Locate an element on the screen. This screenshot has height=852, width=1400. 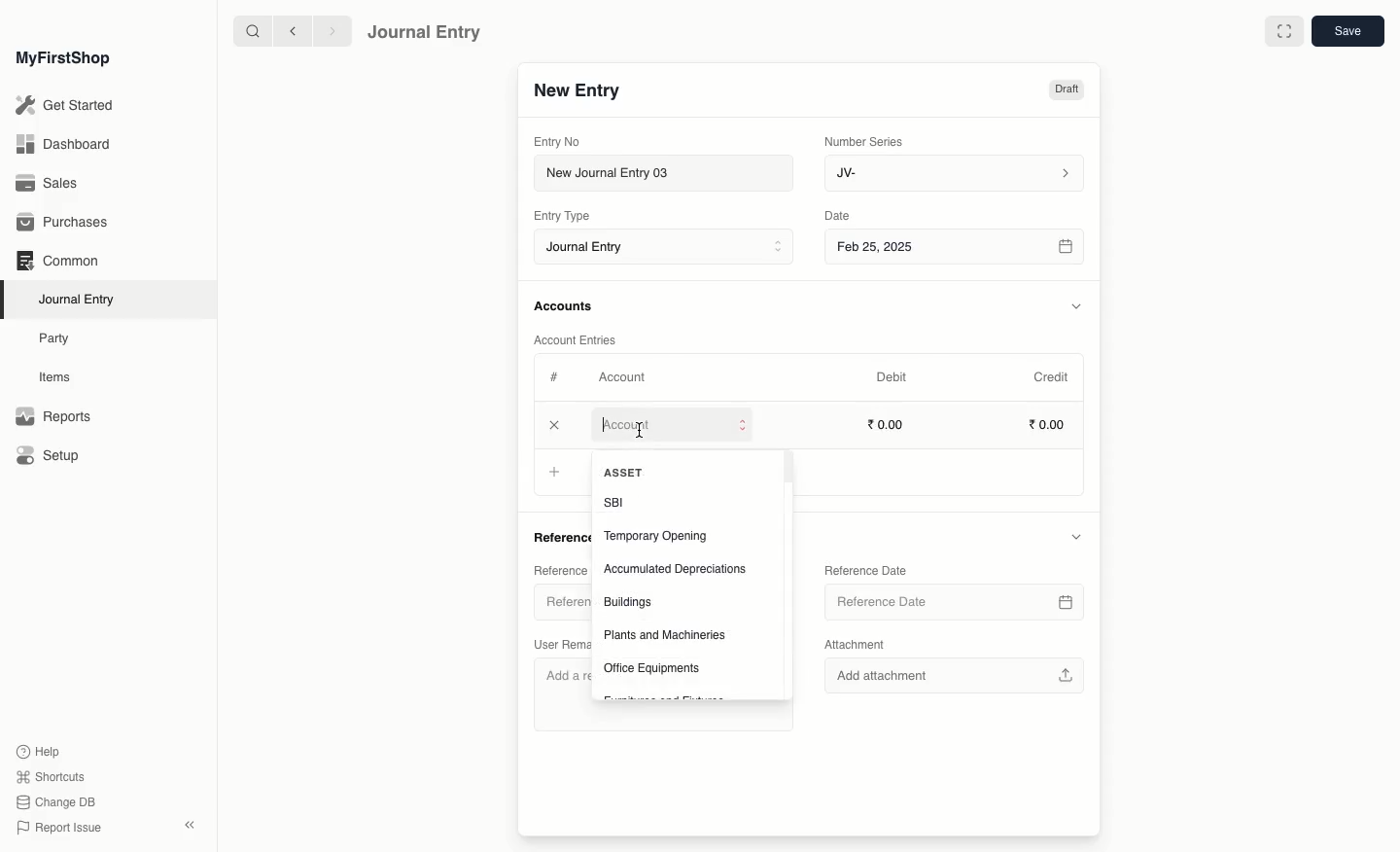
Account is located at coordinates (621, 377).